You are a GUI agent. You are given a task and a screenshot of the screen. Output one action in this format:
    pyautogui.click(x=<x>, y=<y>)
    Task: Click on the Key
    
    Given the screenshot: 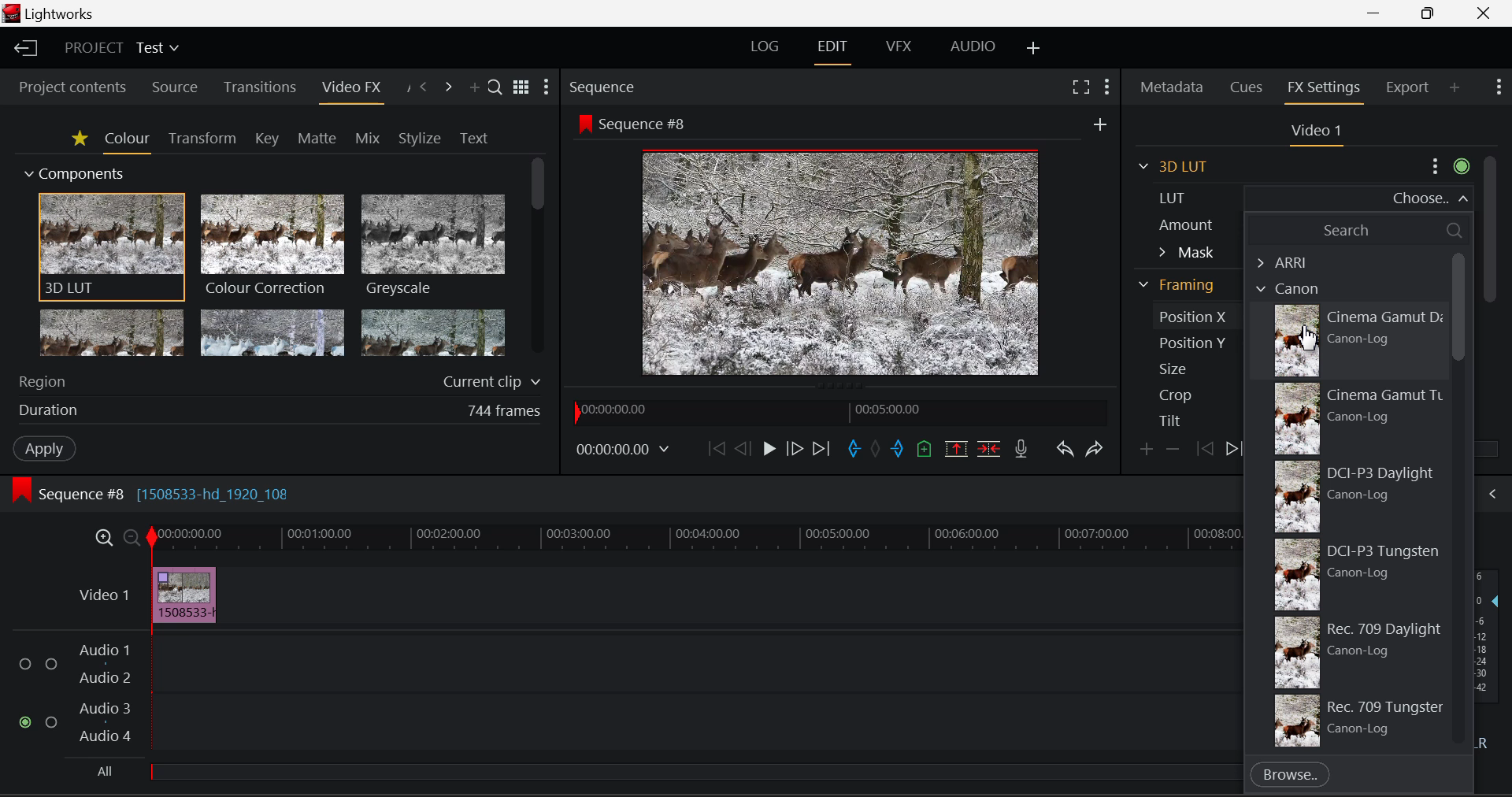 What is the action you would take?
    pyautogui.click(x=266, y=139)
    